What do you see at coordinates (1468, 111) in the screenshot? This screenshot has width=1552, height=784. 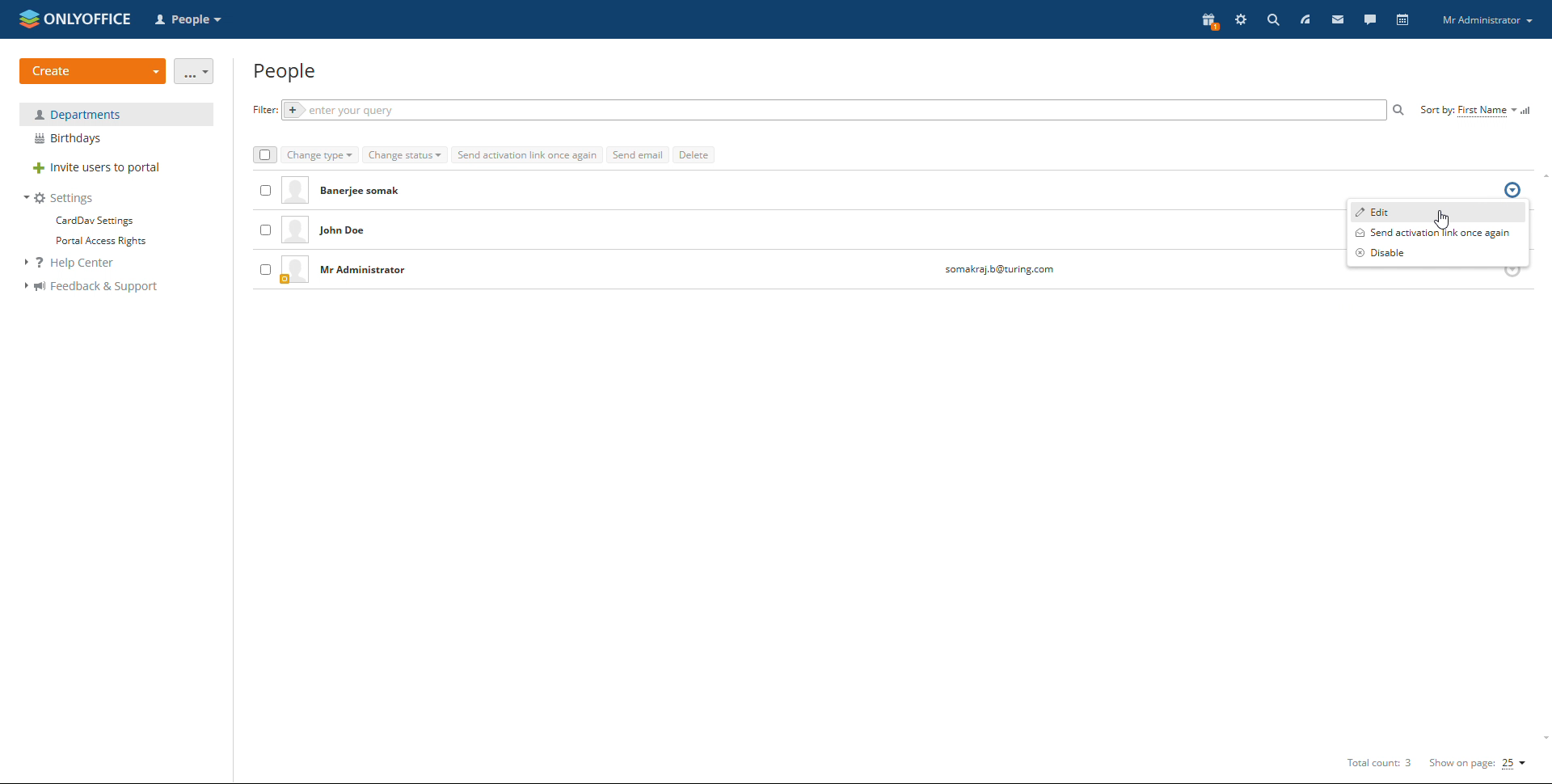 I see `sort by options` at bounding box center [1468, 111].